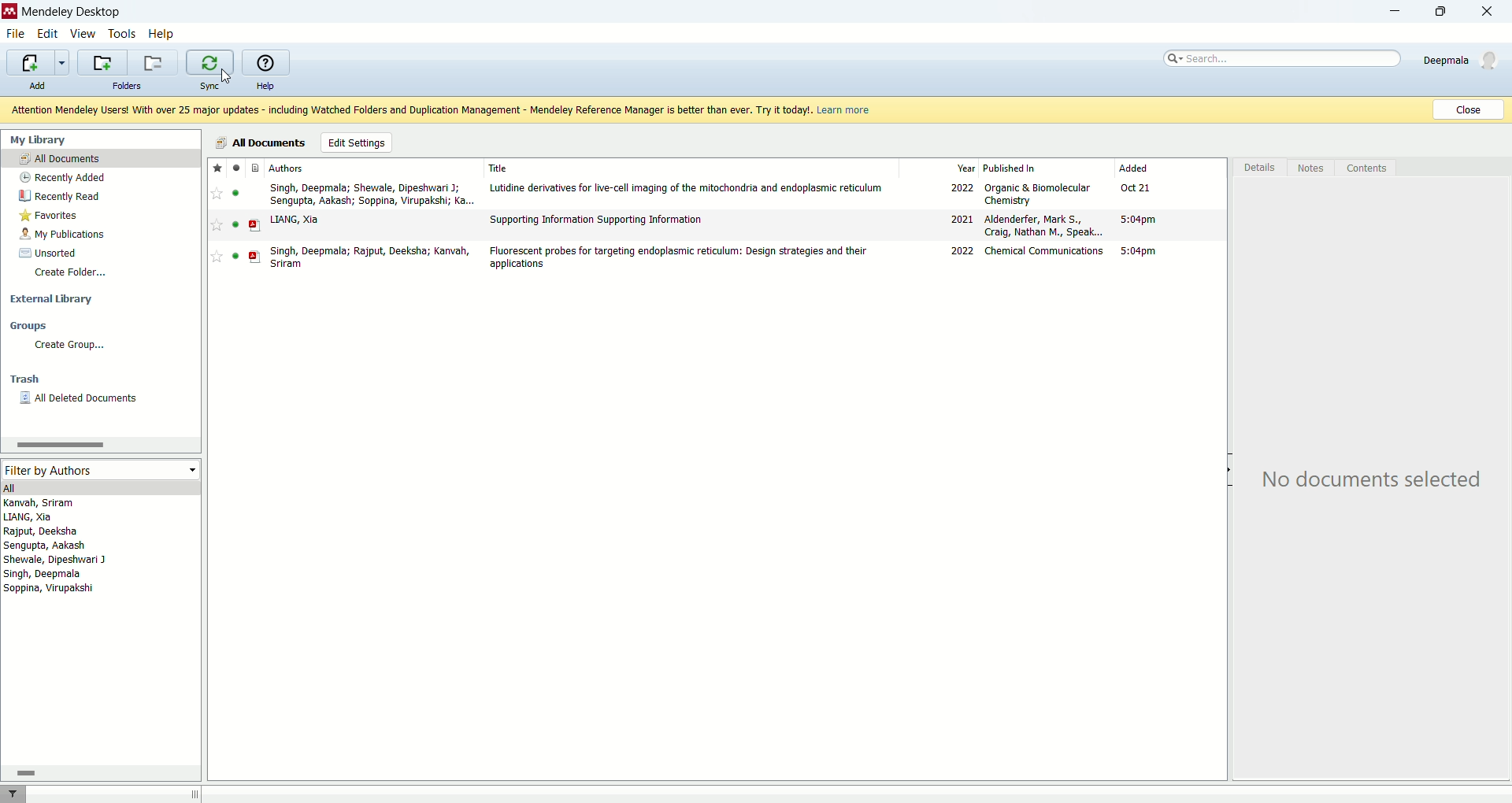  Describe the element at coordinates (9, 11) in the screenshot. I see `Mendeley logo` at that location.